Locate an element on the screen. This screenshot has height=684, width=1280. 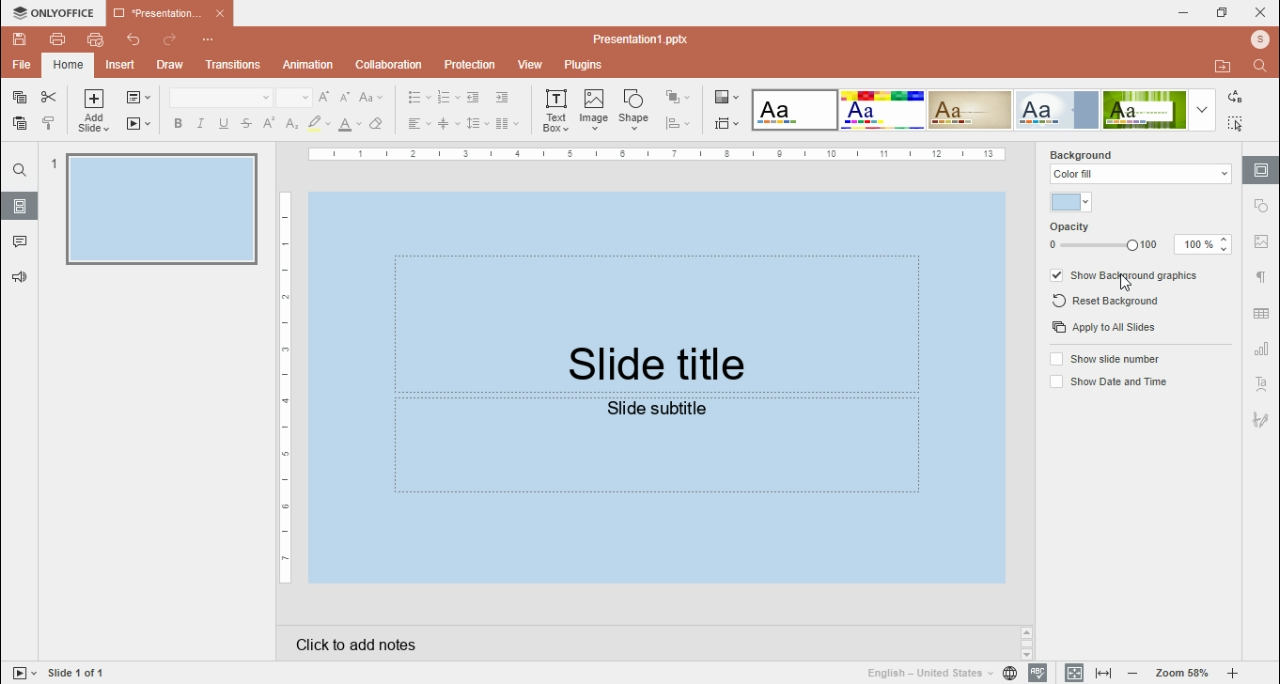
apply to all slides is located at coordinates (1103, 327).